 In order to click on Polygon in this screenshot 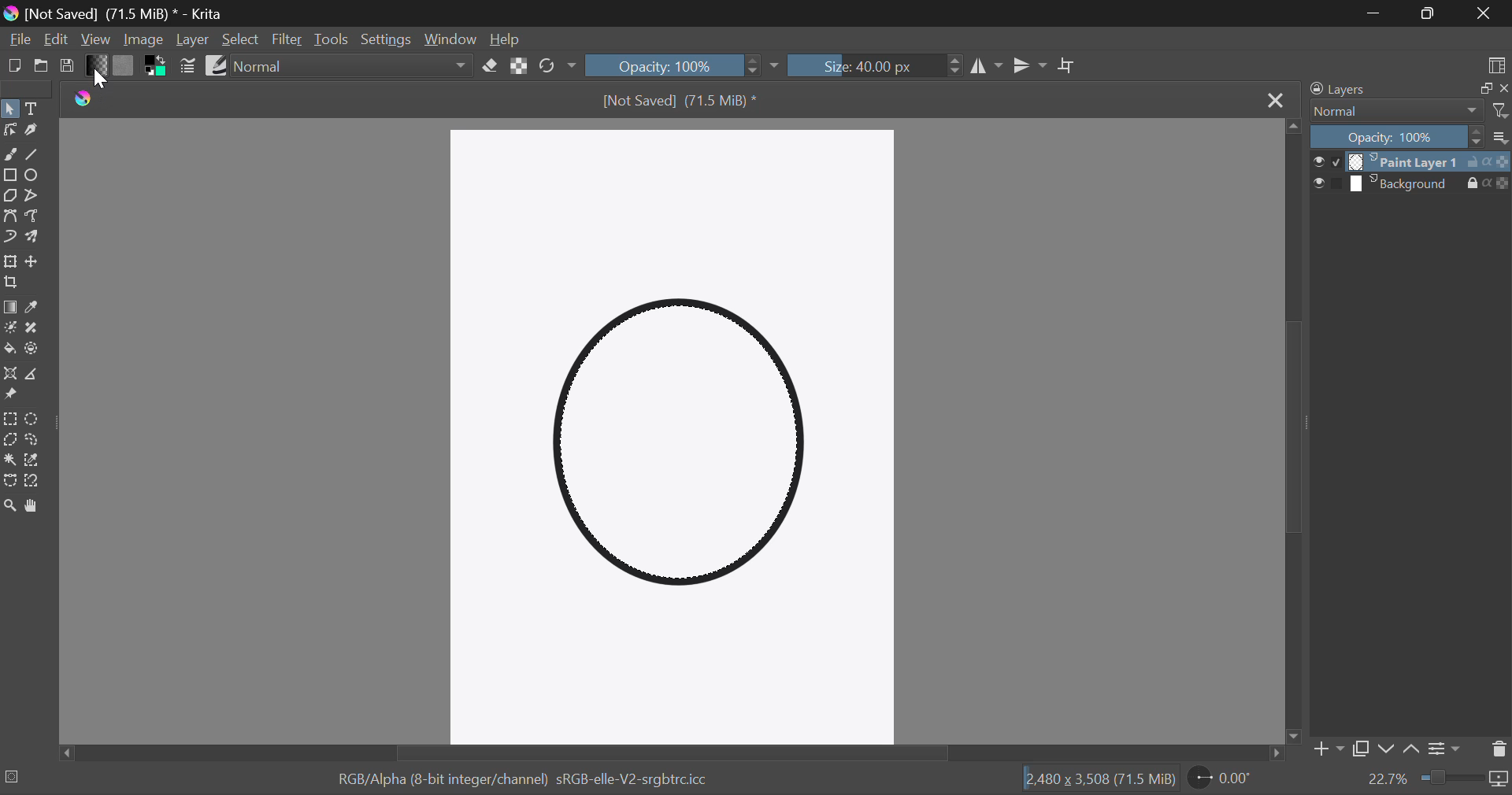, I will do `click(11, 197)`.